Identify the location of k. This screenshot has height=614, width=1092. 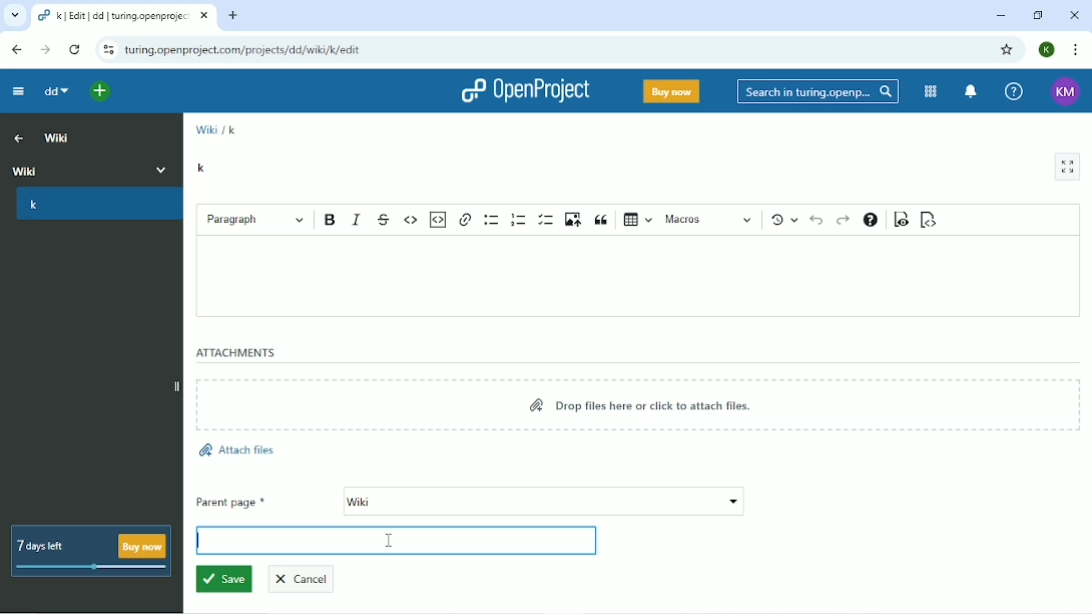
(96, 207).